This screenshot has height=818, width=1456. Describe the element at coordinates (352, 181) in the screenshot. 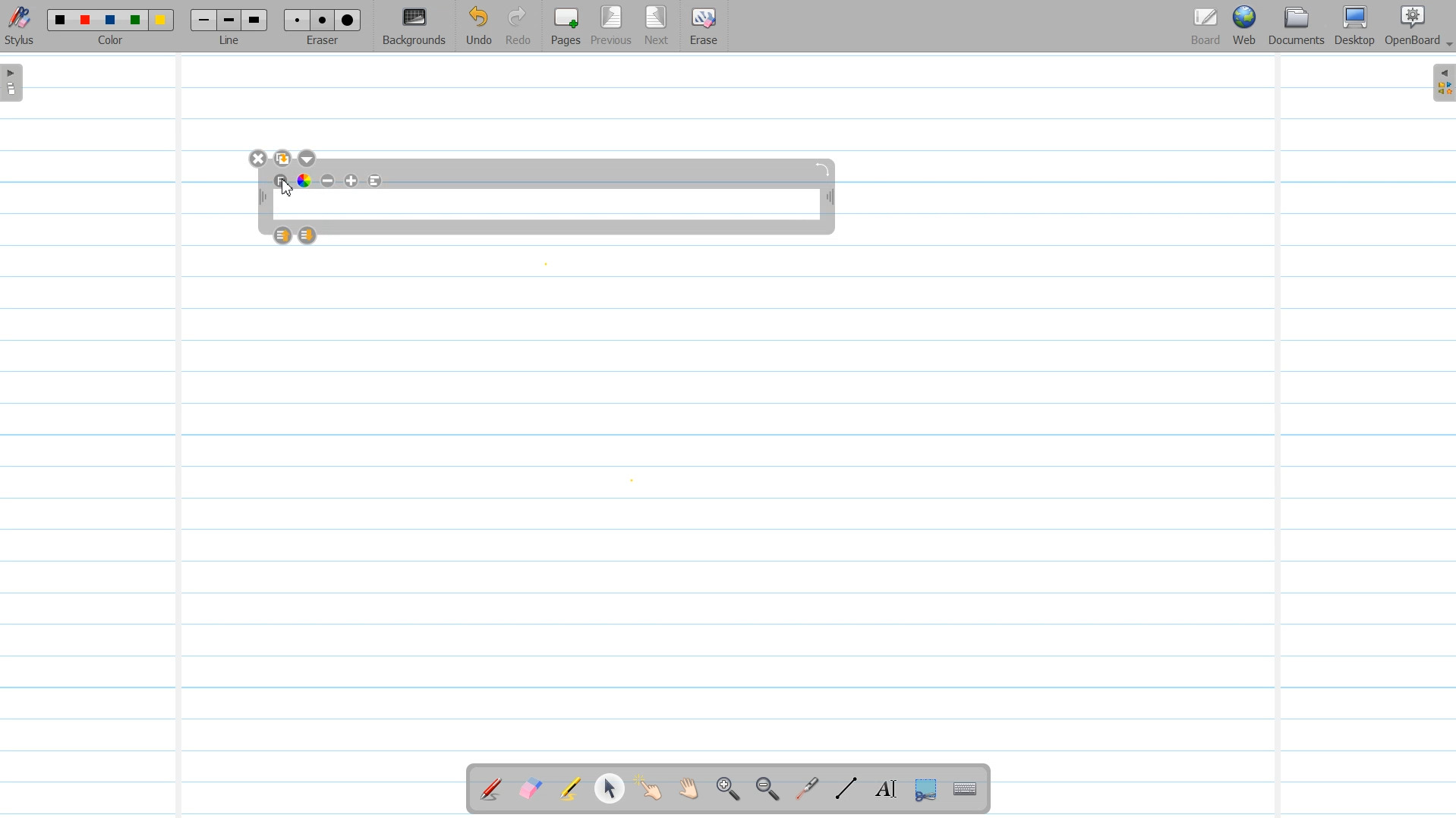

I see `Maximize Text` at that location.